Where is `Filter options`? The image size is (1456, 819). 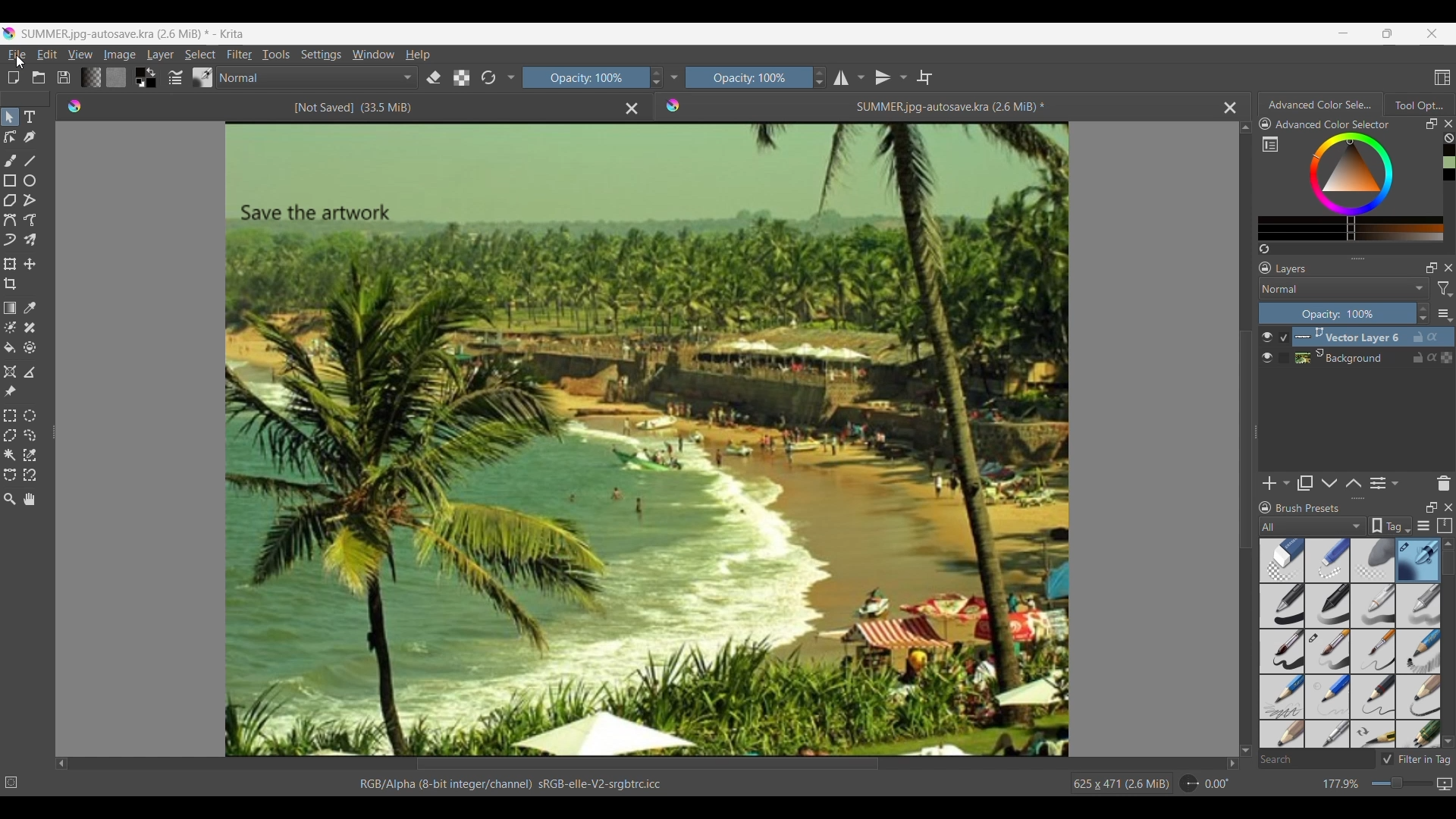
Filter options is located at coordinates (1444, 289).